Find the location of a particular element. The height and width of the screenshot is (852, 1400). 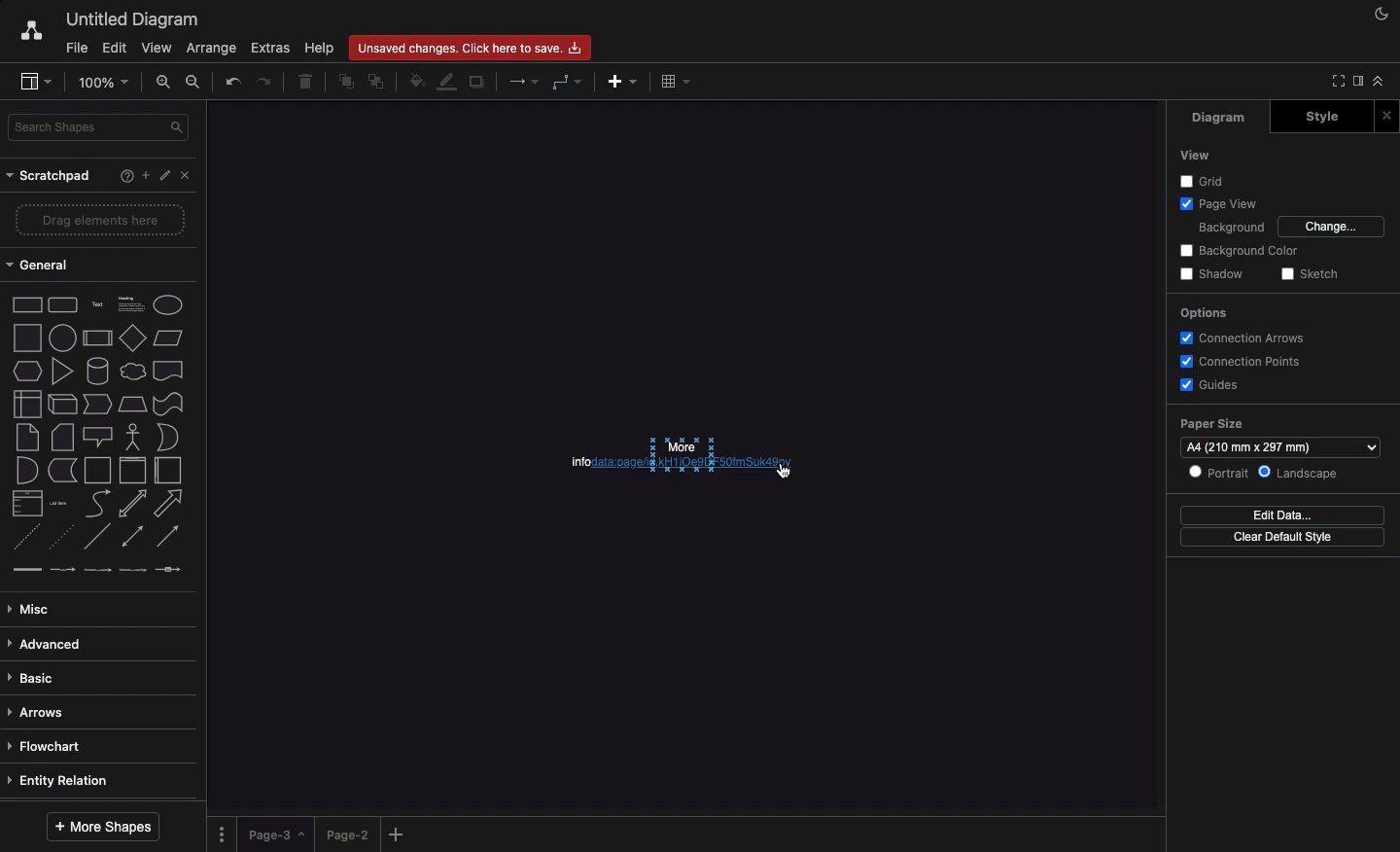

Untitled diagram is located at coordinates (126, 19).